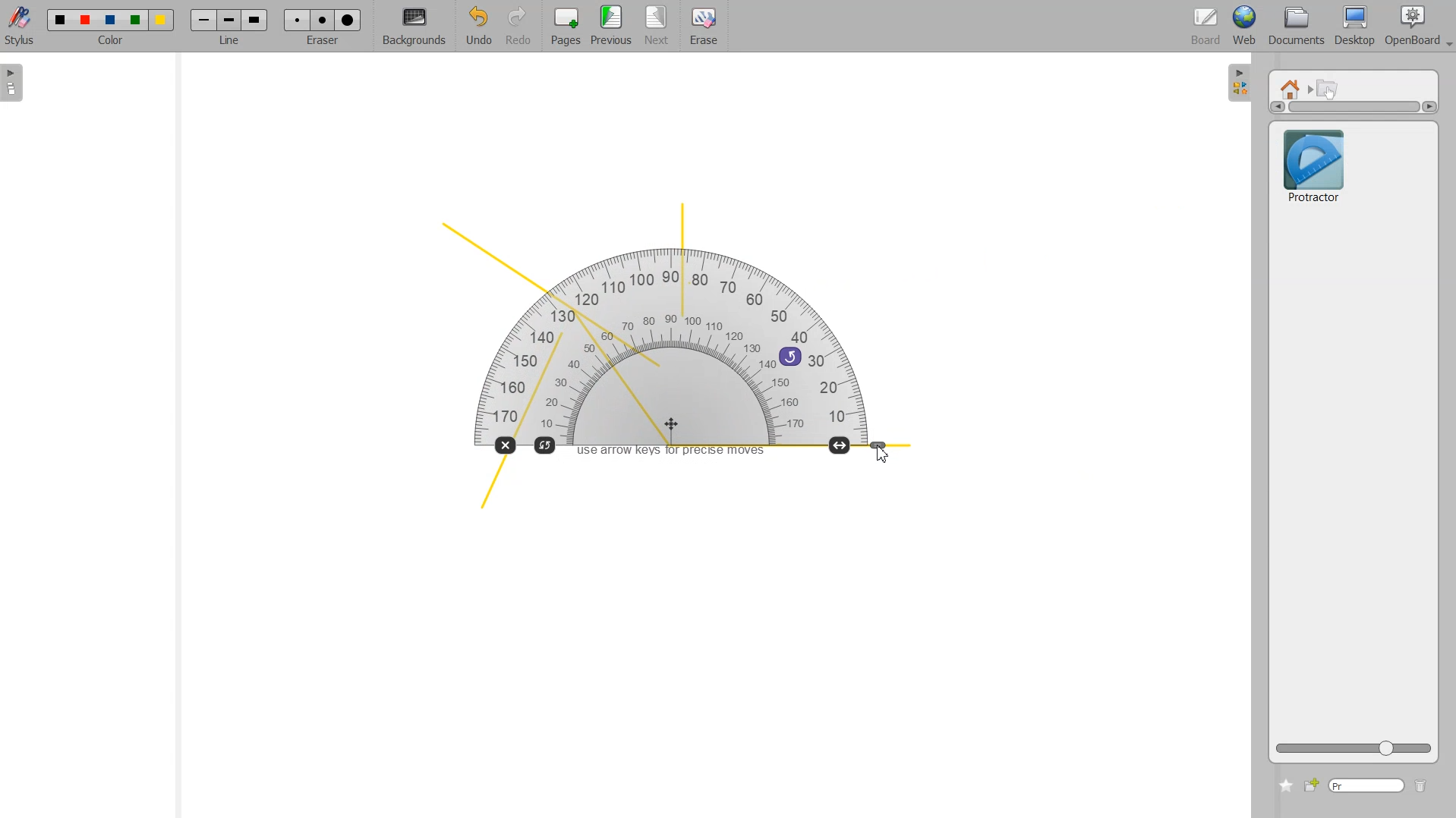 The width and height of the screenshot is (1456, 818). What do you see at coordinates (841, 445) in the screenshot?
I see `Increase size` at bounding box center [841, 445].